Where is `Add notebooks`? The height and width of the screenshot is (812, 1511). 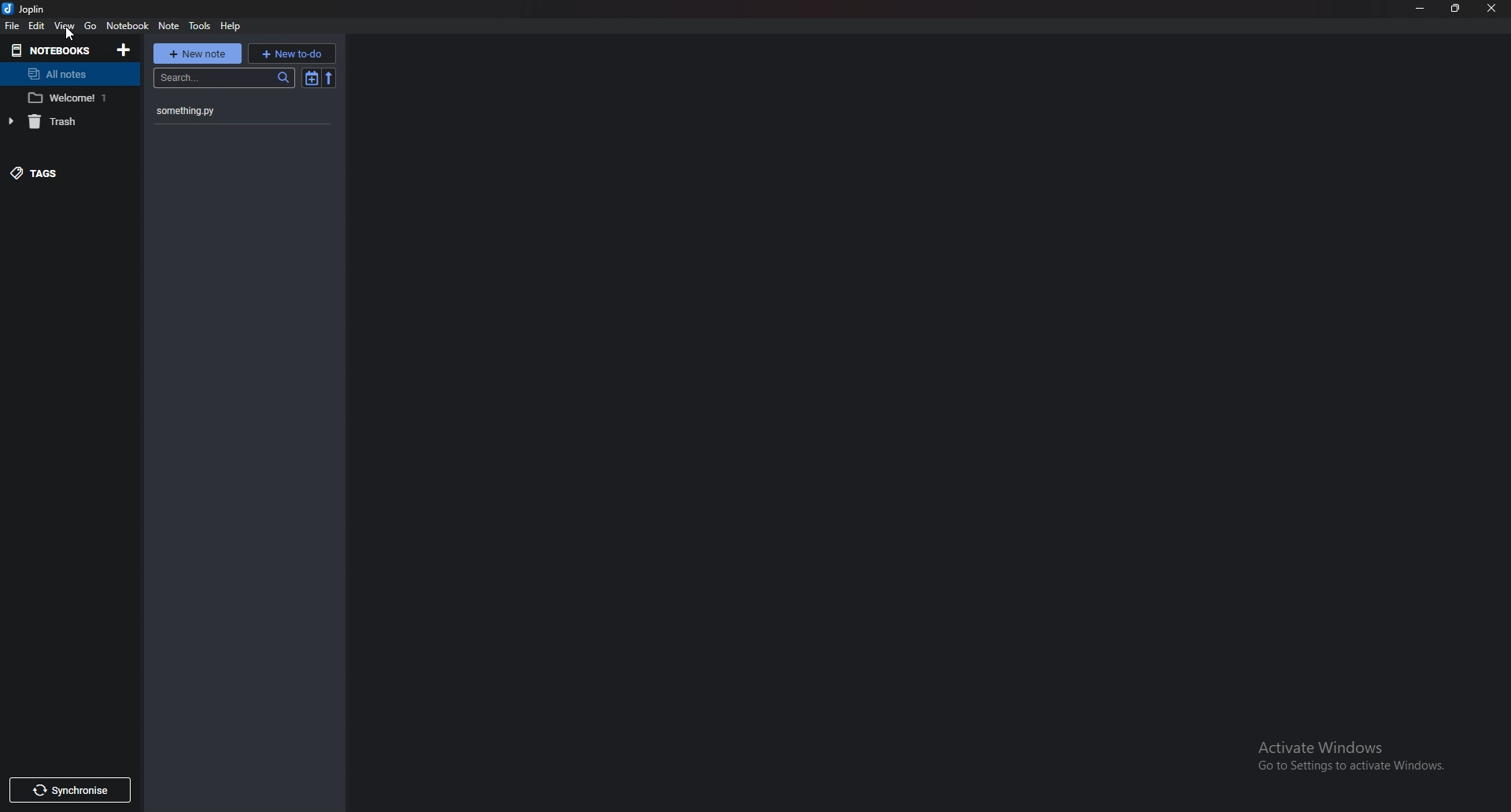
Add notebooks is located at coordinates (125, 50).